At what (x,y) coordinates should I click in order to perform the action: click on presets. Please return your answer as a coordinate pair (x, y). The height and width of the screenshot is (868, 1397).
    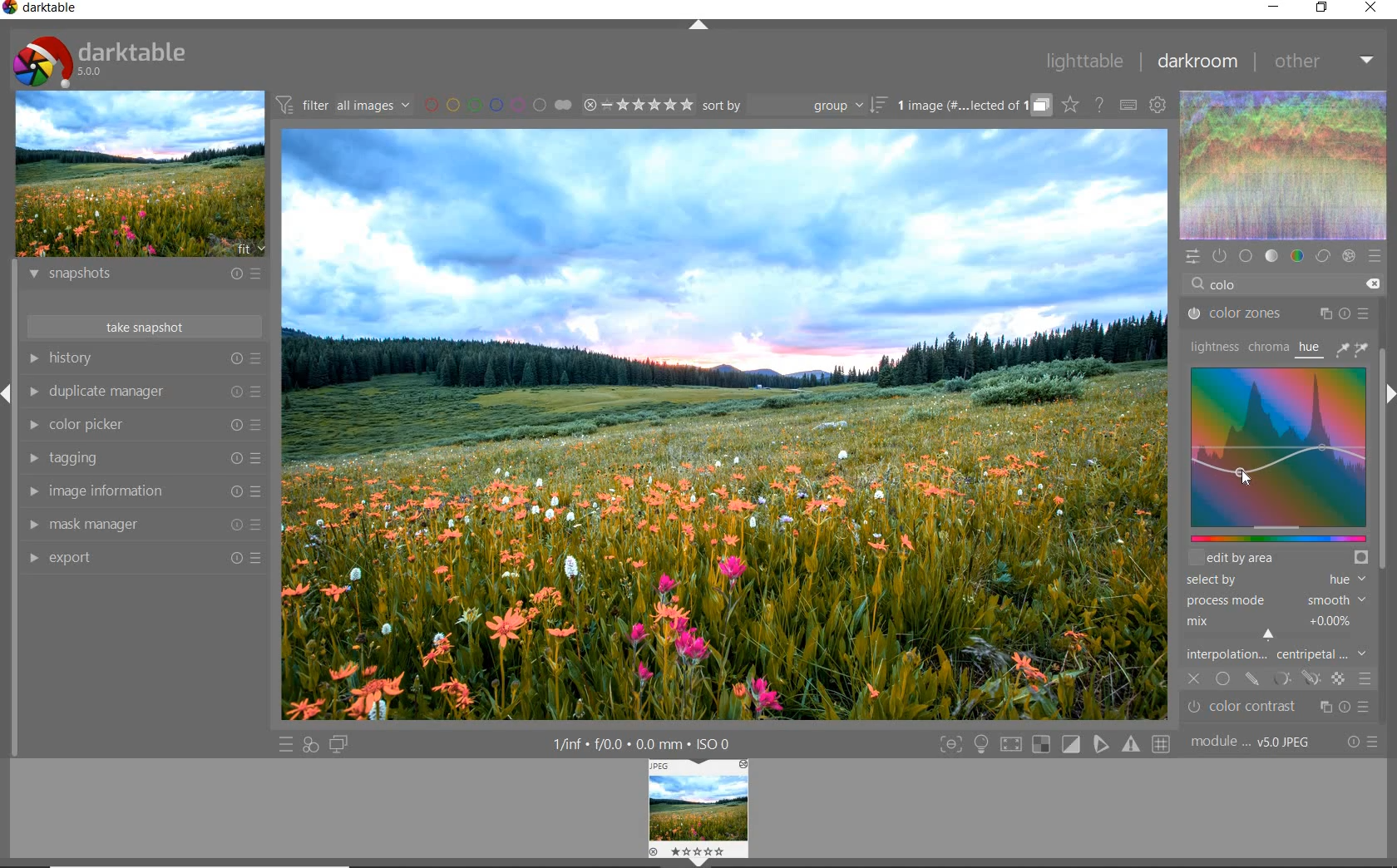
    Looking at the image, I should click on (1374, 256).